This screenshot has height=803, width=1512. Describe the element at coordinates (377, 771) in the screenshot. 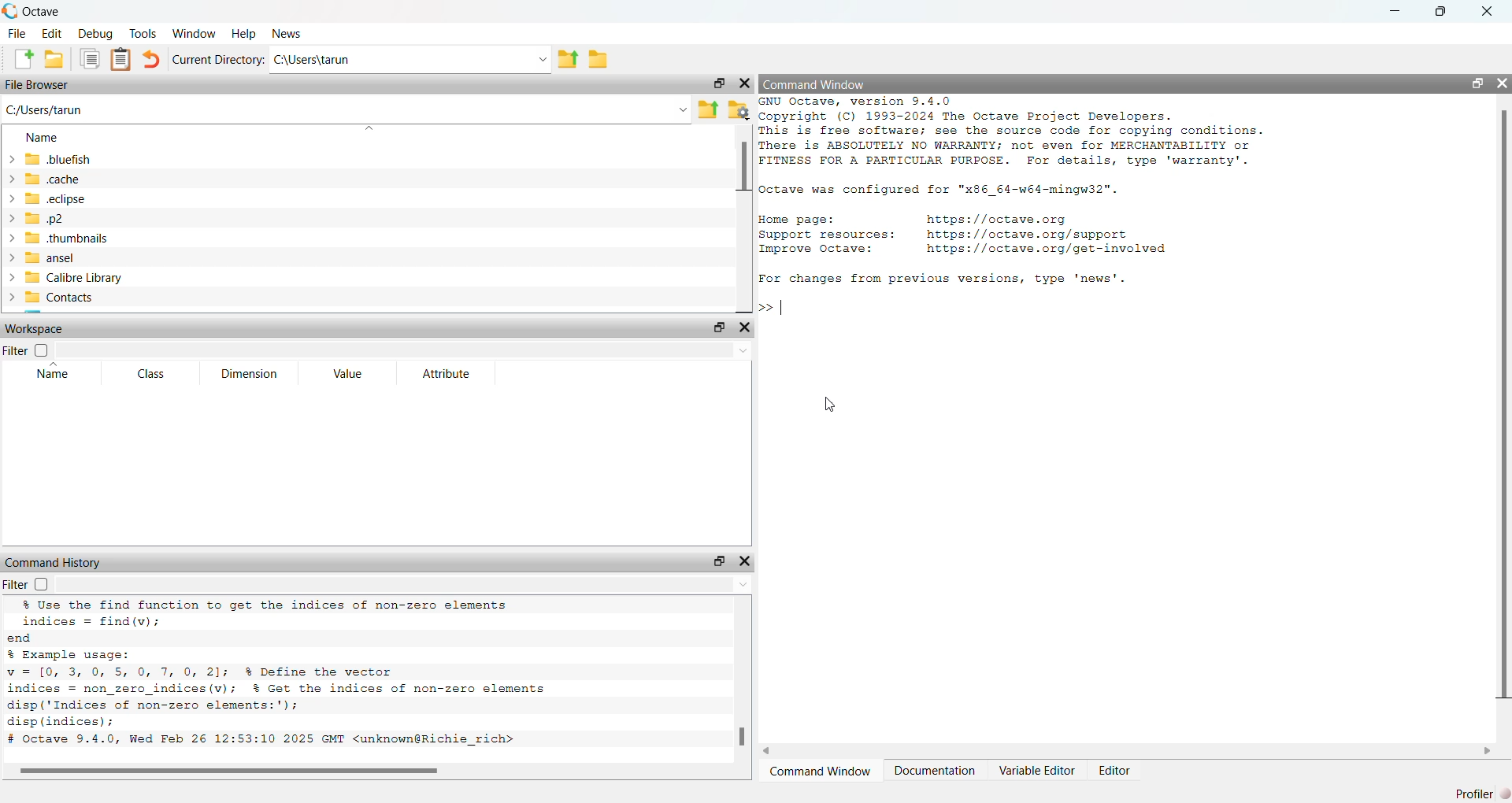

I see `horizontal scroll bar` at that location.